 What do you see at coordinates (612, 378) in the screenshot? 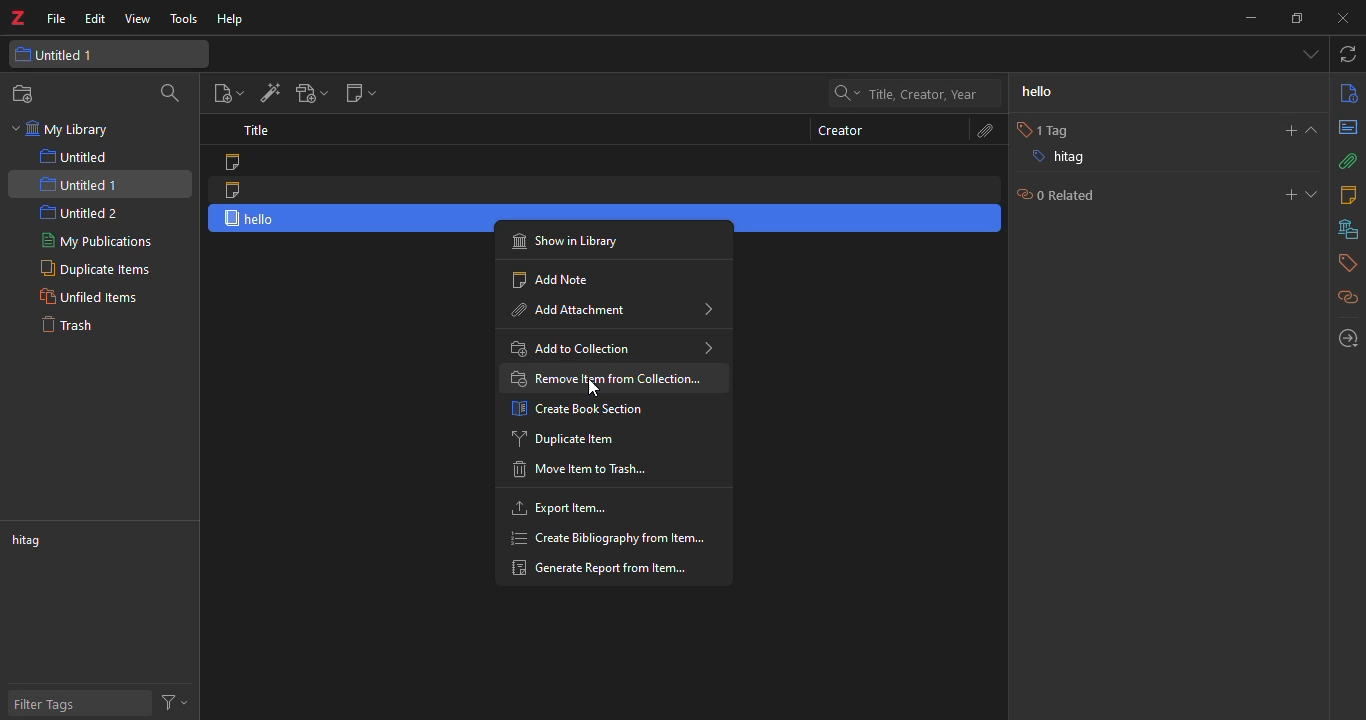
I see `remove item from collection` at bounding box center [612, 378].